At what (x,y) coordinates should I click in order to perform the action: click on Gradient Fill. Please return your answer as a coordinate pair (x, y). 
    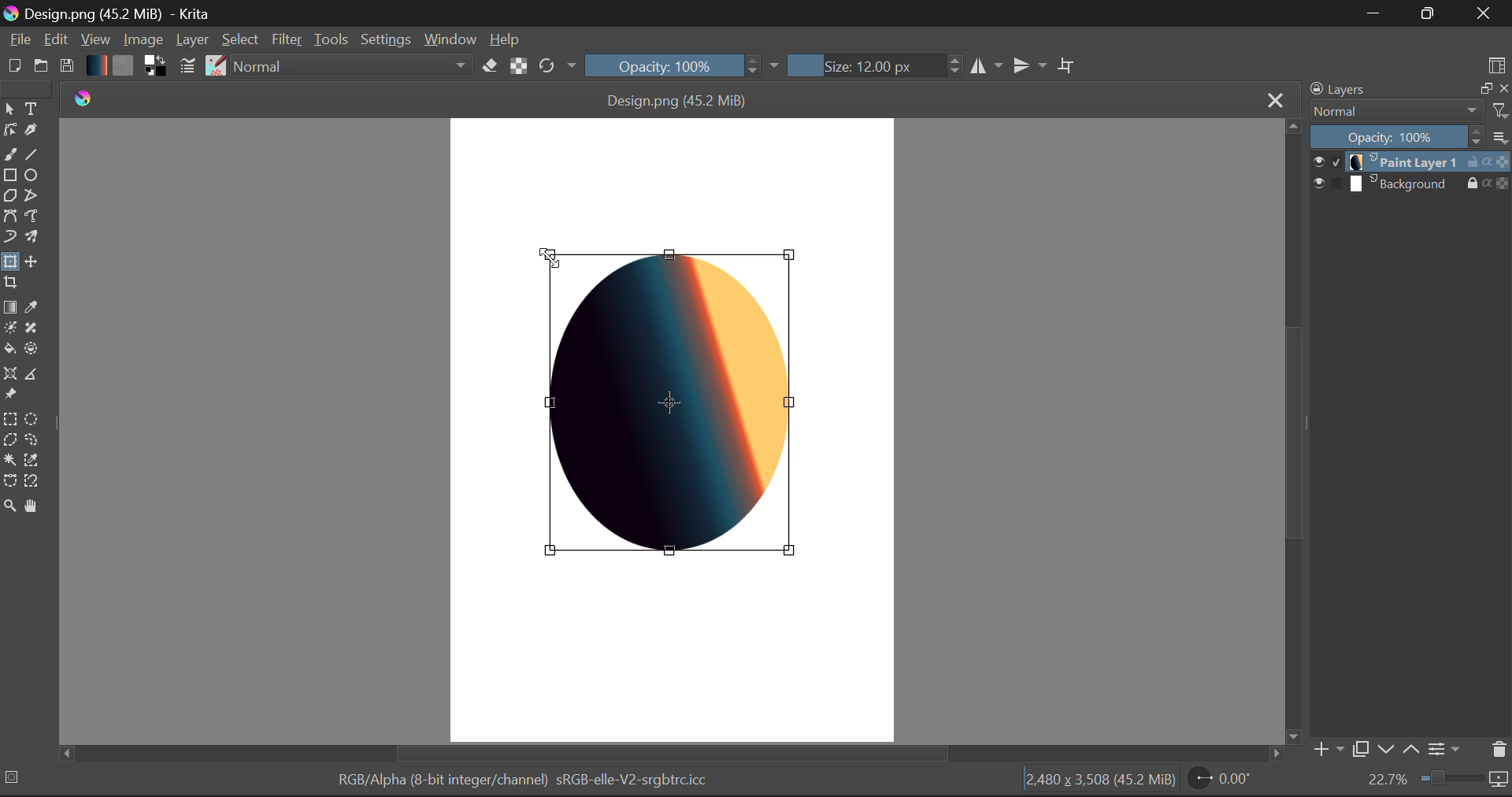
    Looking at the image, I should click on (9, 306).